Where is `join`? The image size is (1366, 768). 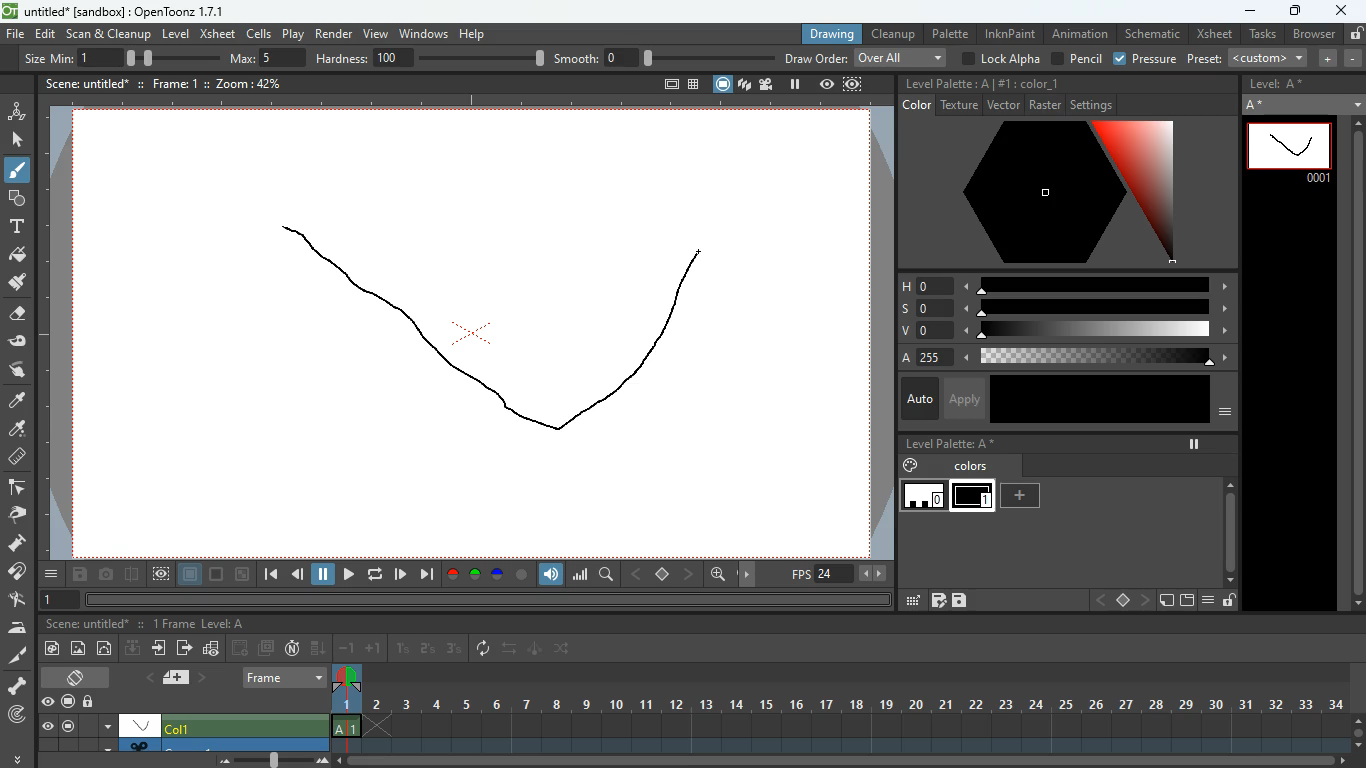
join is located at coordinates (18, 574).